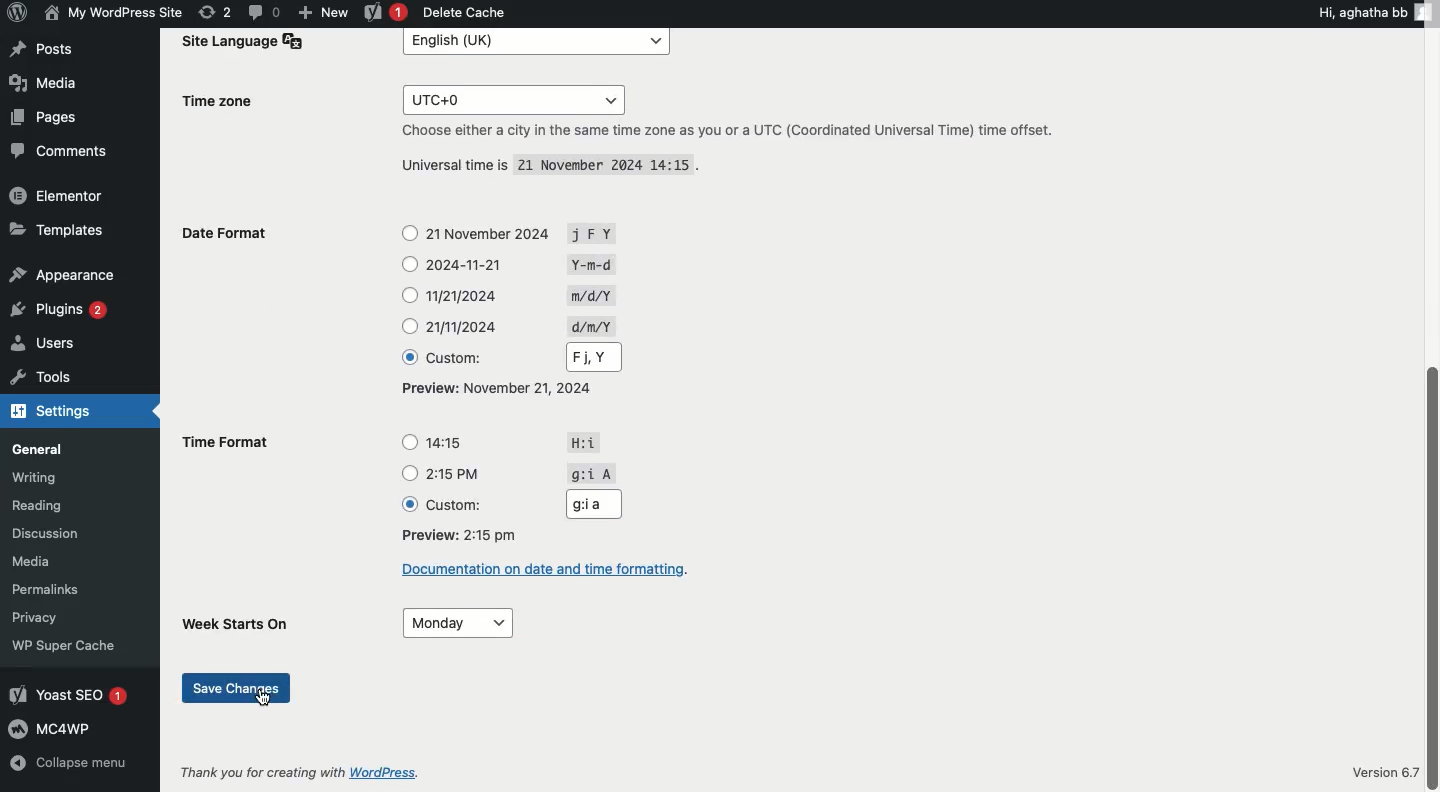 The width and height of the screenshot is (1440, 792). Describe the element at coordinates (1426, 11) in the screenshot. I see `user icon` at that location.